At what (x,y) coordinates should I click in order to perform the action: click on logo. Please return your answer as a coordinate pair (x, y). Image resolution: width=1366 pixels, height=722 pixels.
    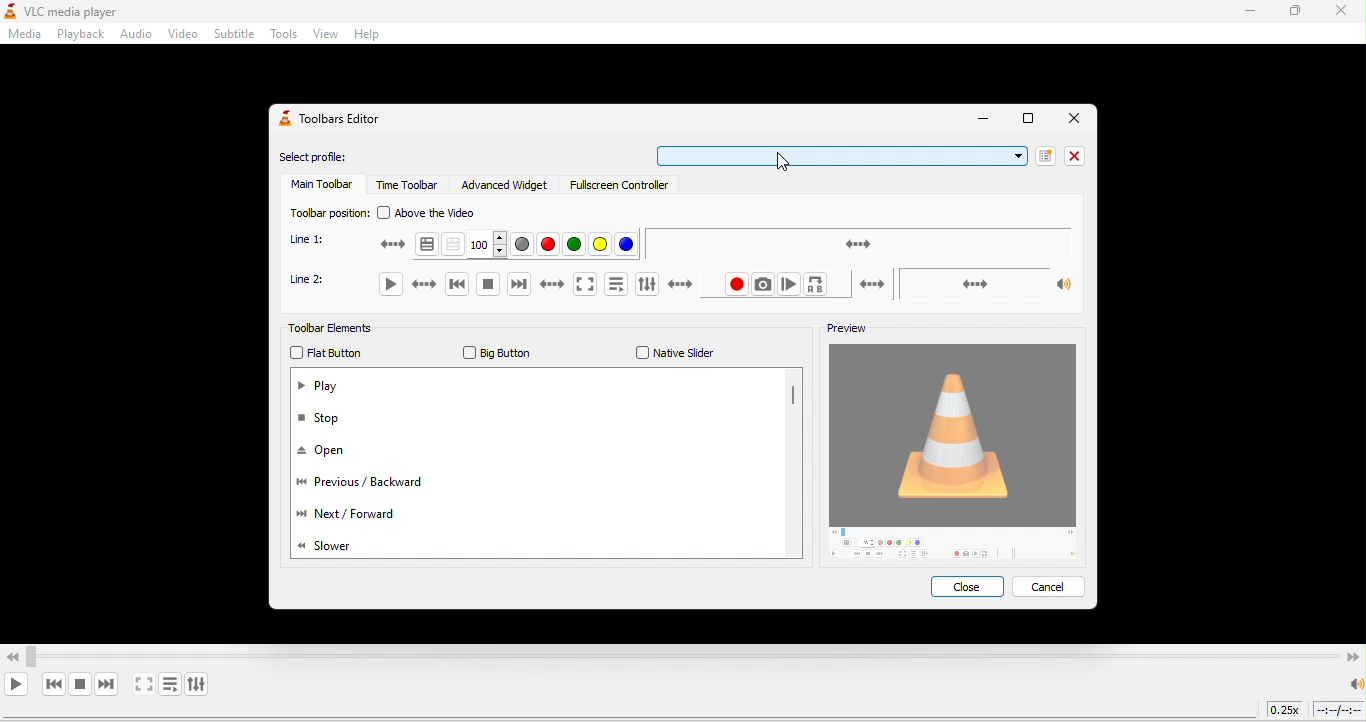
    Looking at the image, I should click on (9, 12).